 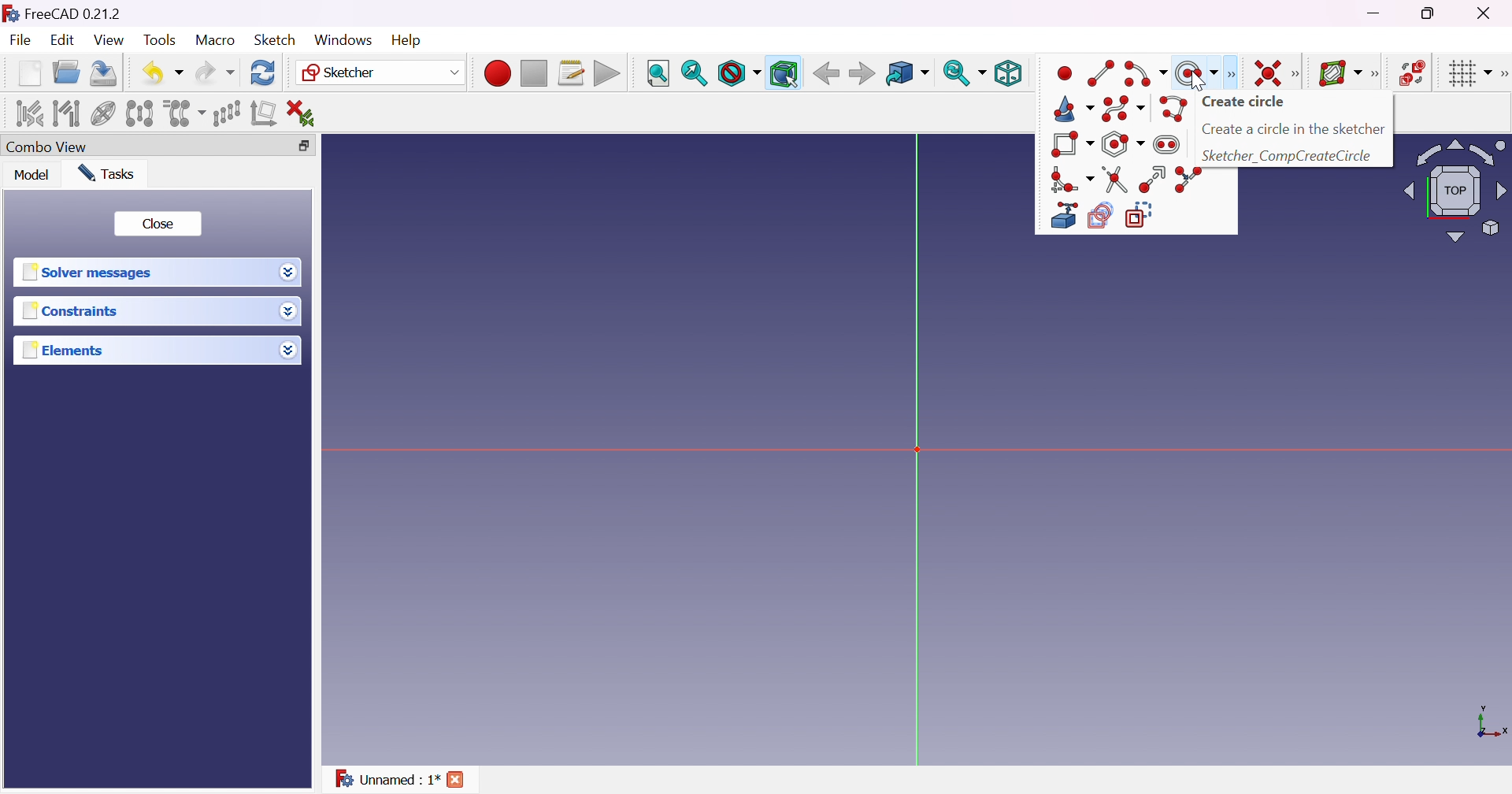 What do you see at coordinates (1116, 179) in the screenshot?
I see `Trim edge` at bounding box center [1116, 179].